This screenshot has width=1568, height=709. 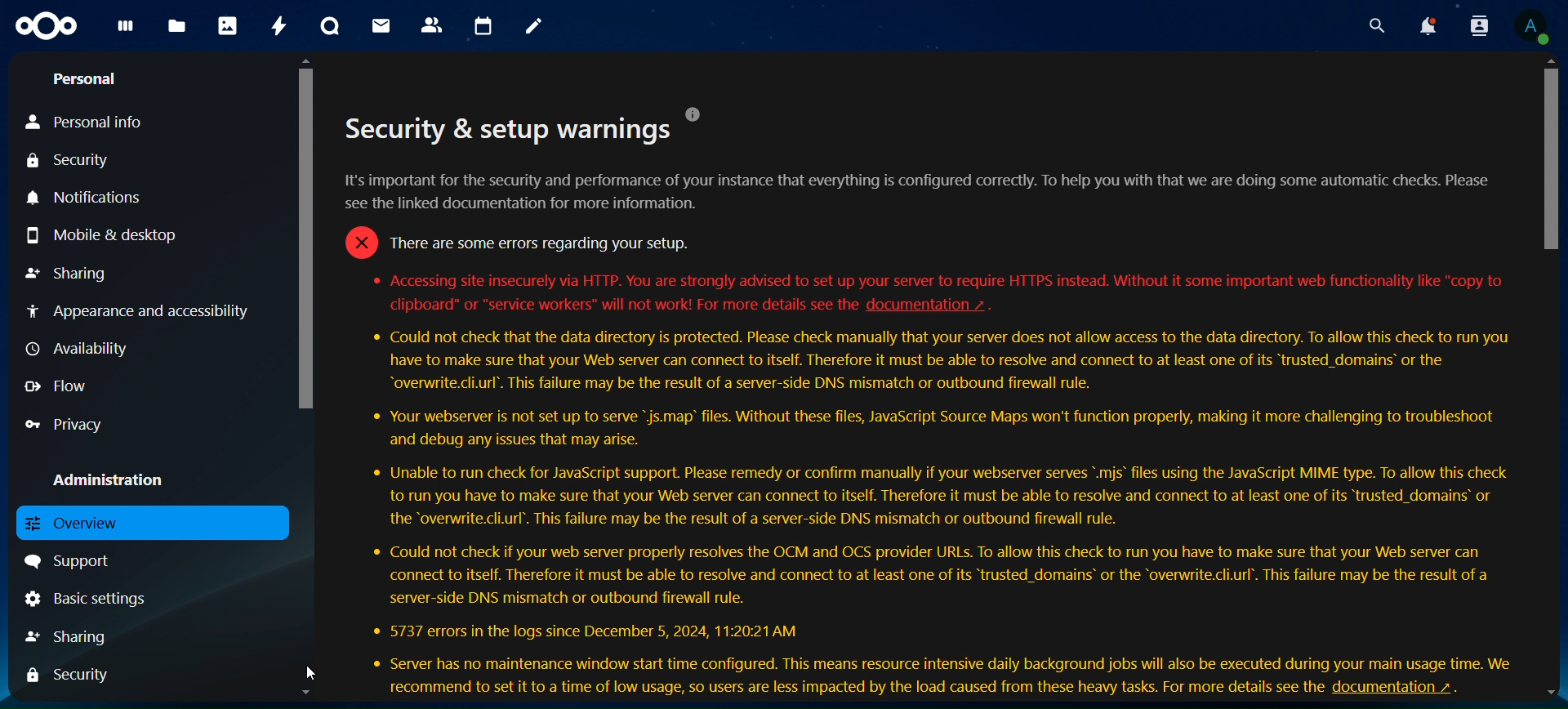 What do you see at coordinates (304, 376) in the screenshot?
I see `scroll bar` at bounding box center [304, 376].